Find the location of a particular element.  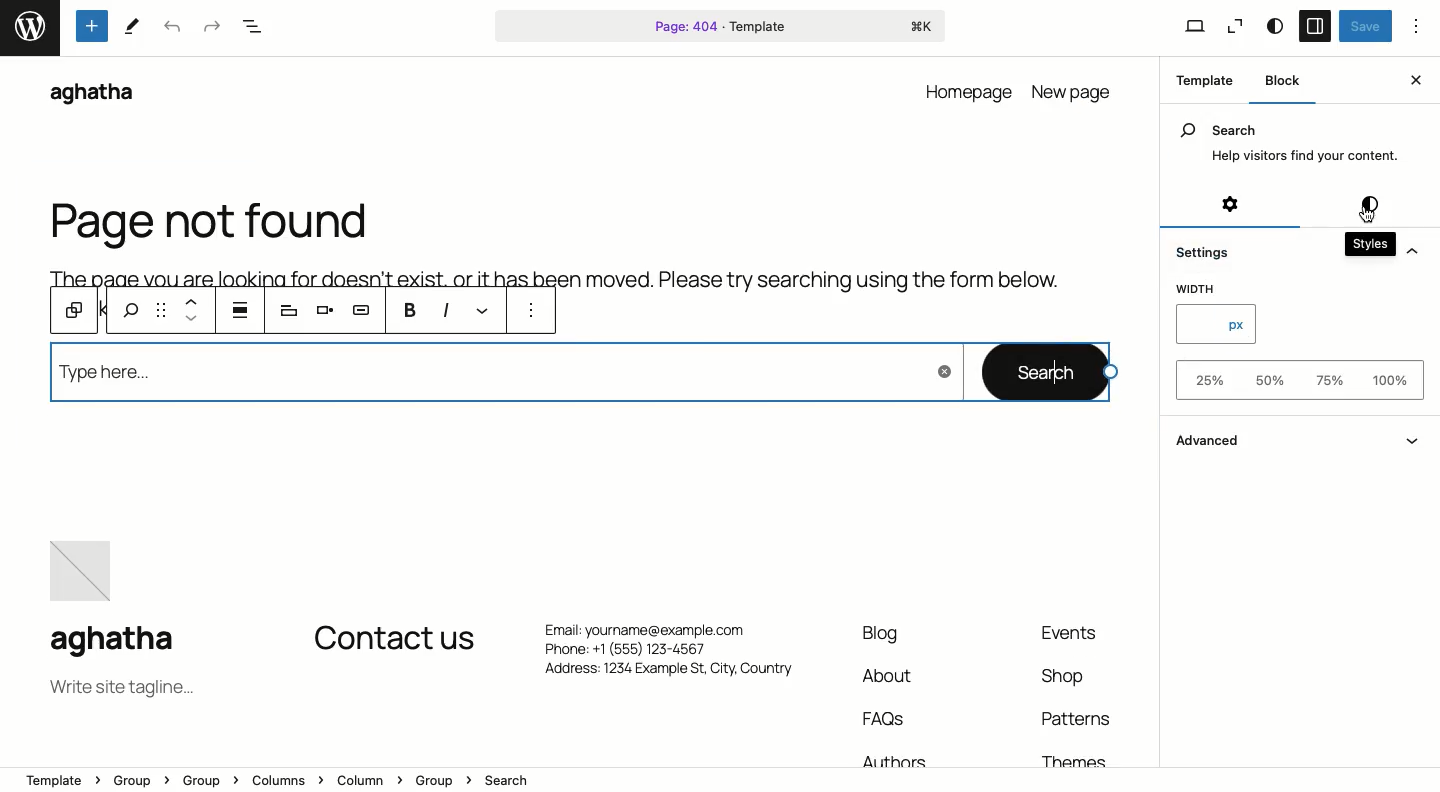

Hide is located at coordinates (1416, 253).